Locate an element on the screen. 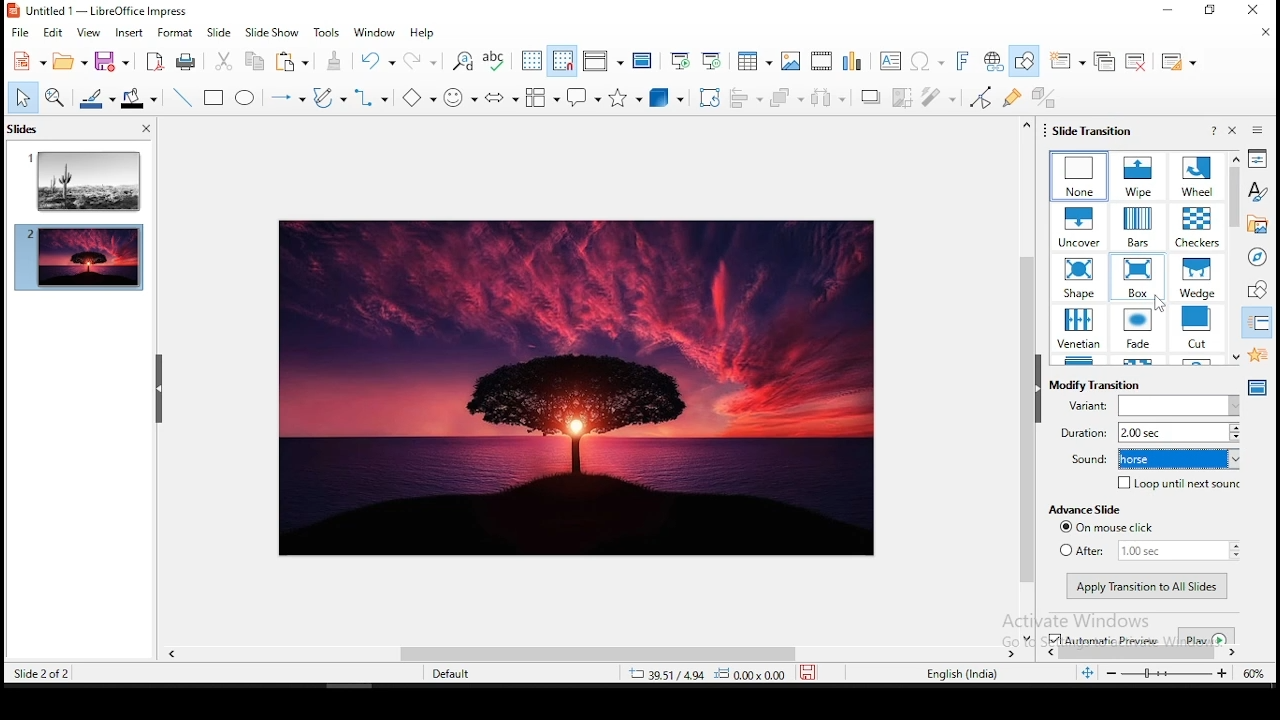 Image resolution: width=1280 pixels, height=720 pixels. help is located at coordinates (423, 34).